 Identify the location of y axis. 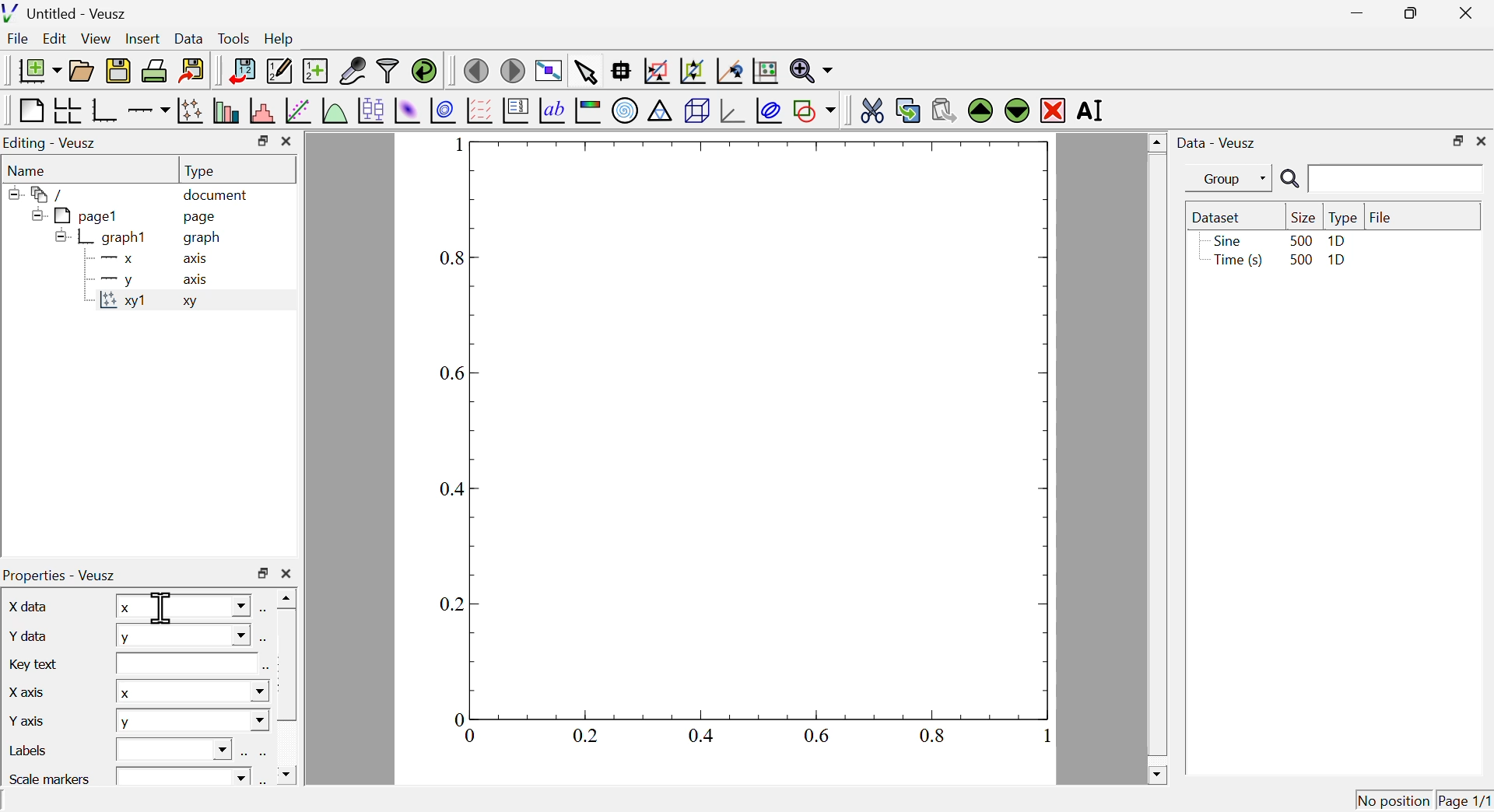
(30, 719).